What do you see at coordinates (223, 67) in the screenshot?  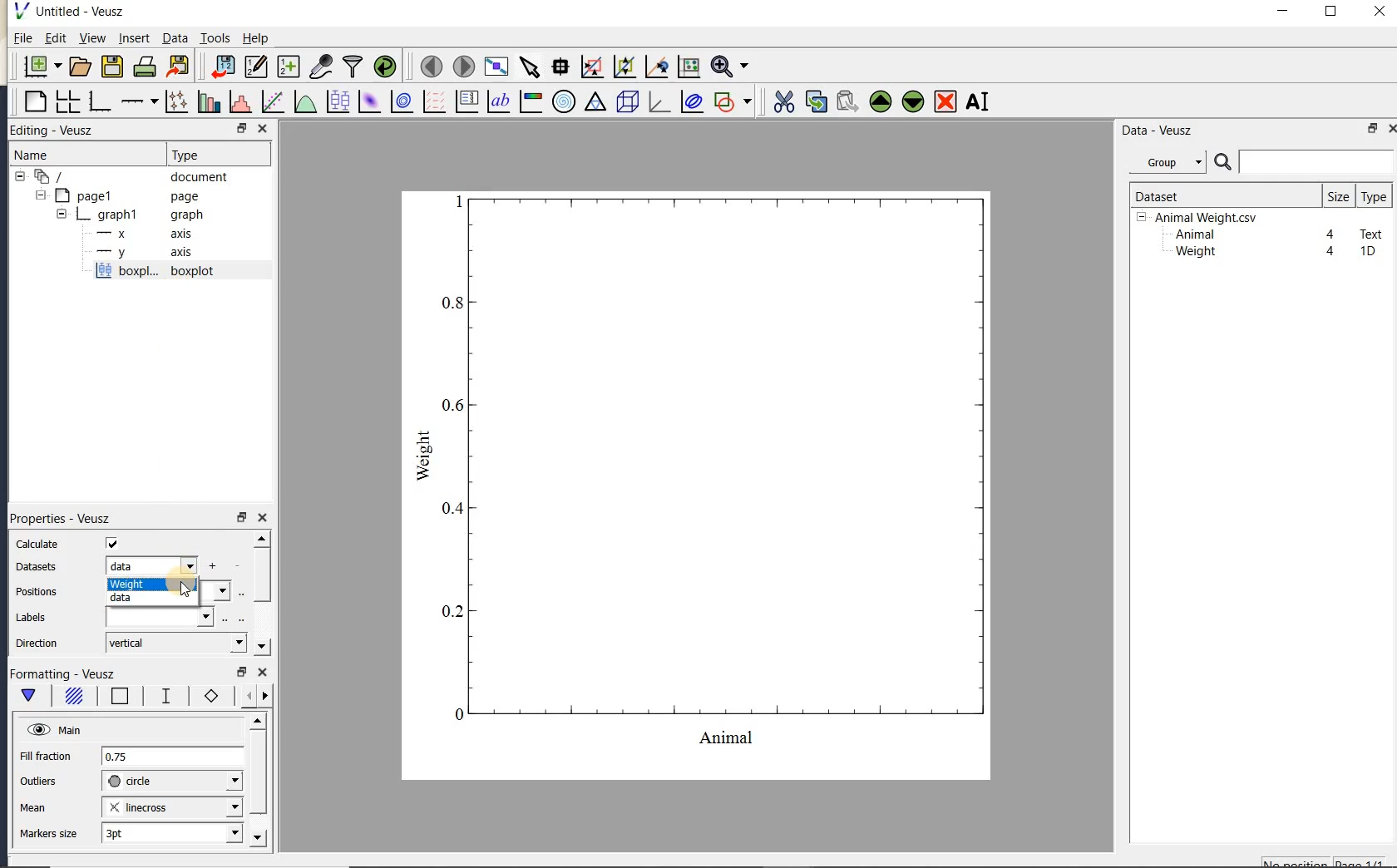 I see `import data into Veusz` at bounding box center [223, 67].